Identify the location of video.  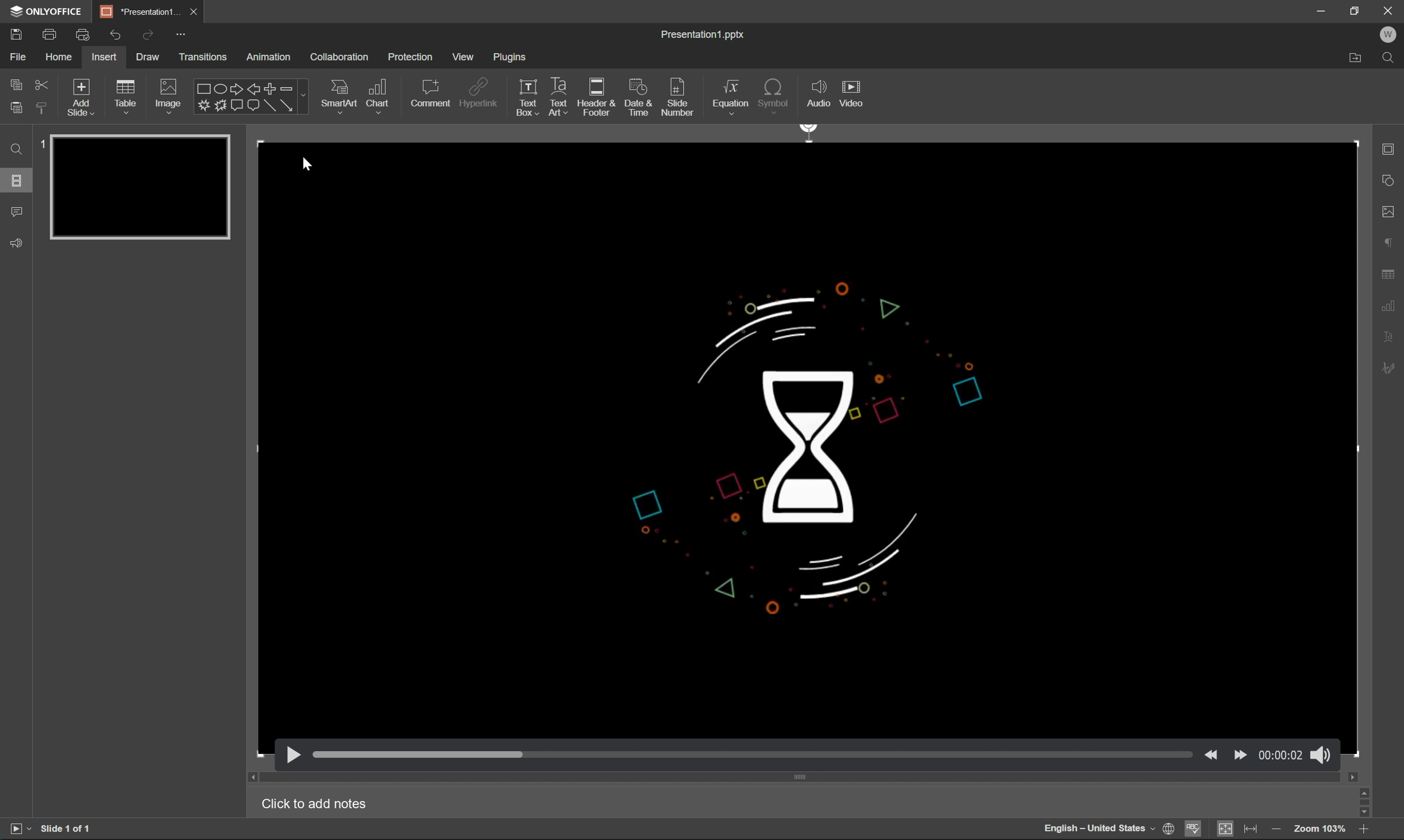
(805, 441).